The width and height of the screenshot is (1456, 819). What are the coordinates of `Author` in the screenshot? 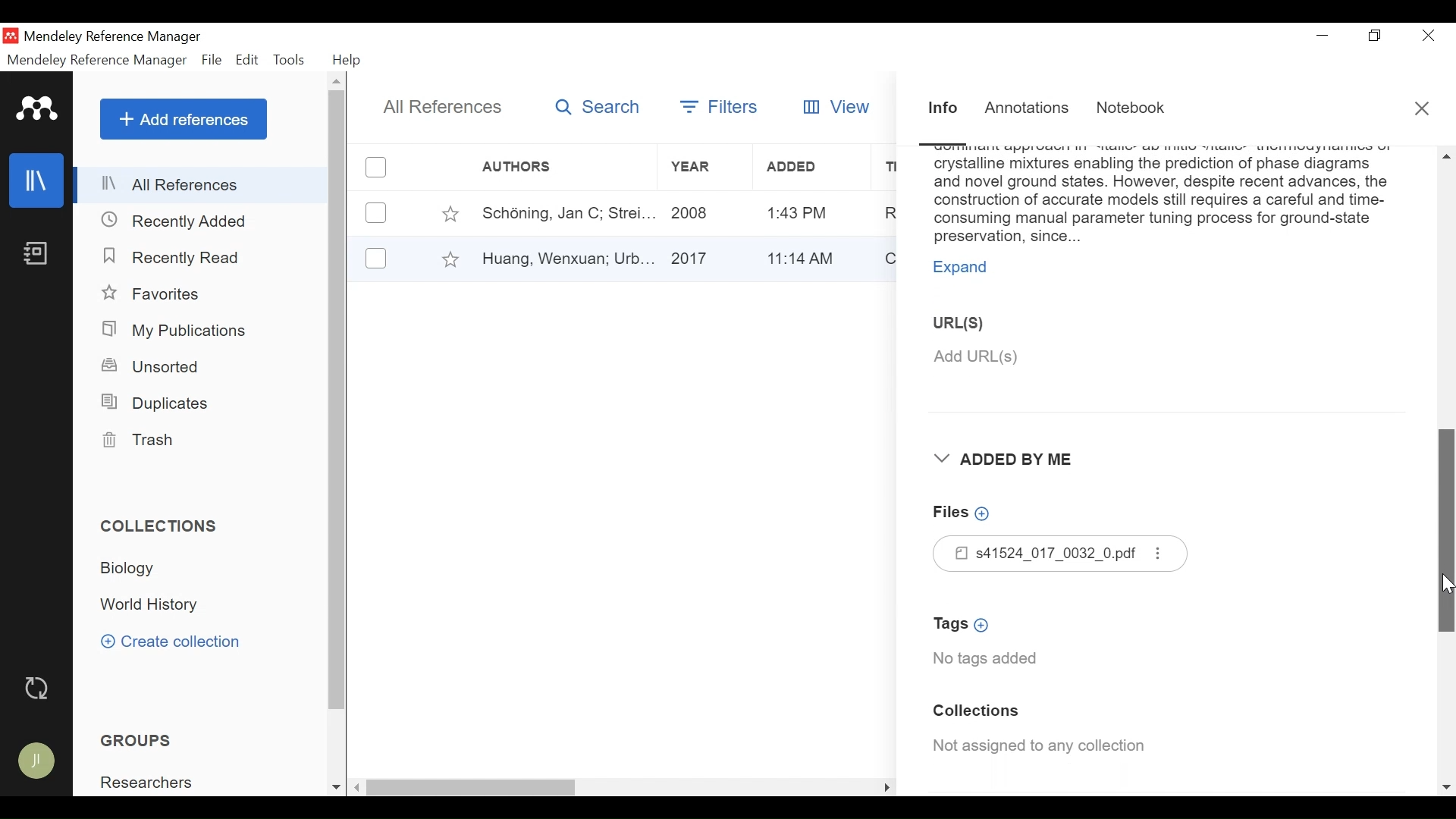 It's located at (562, 212).